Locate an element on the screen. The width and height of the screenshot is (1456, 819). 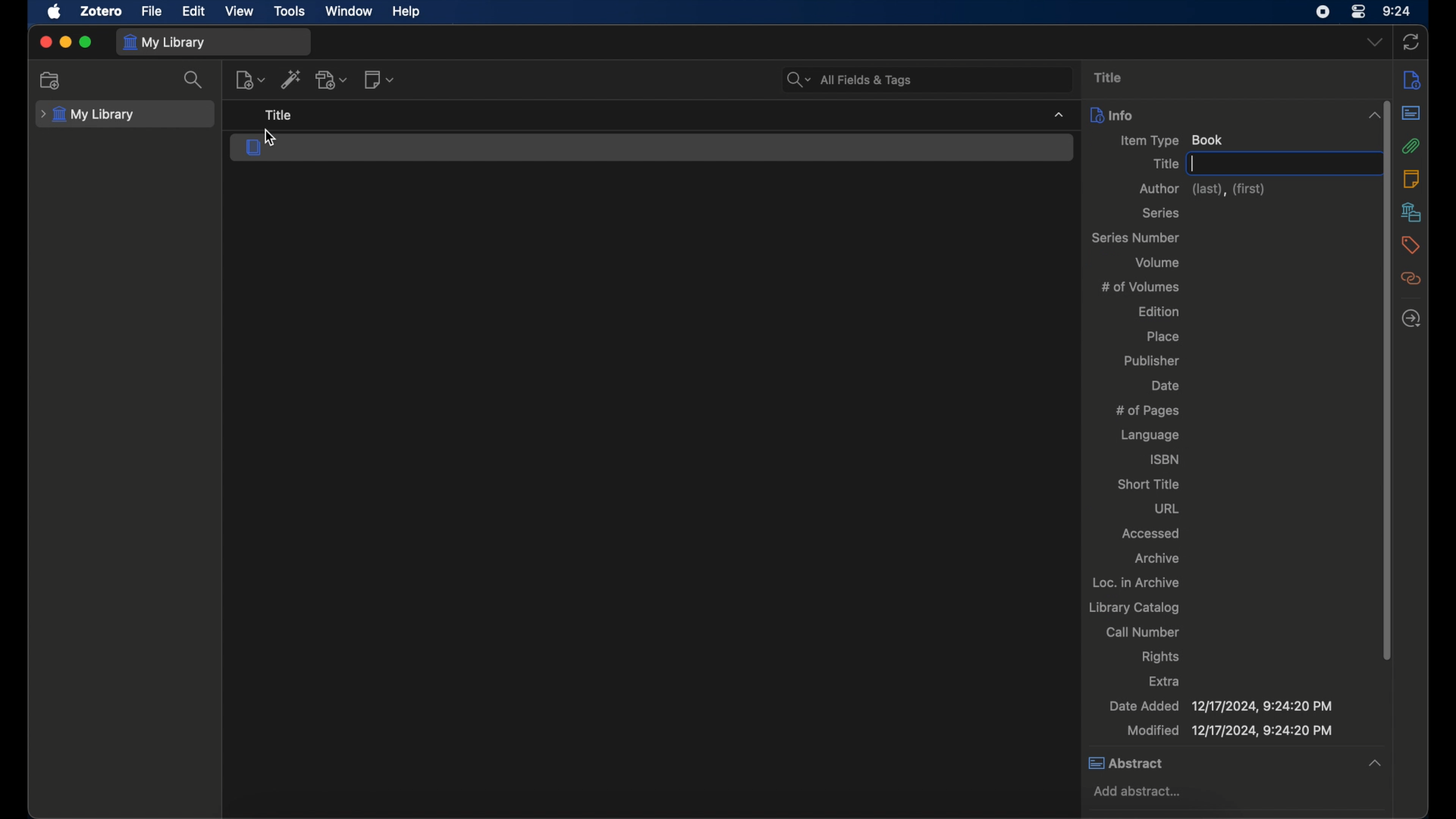
library catalog is located at coordinates (1134, 608).